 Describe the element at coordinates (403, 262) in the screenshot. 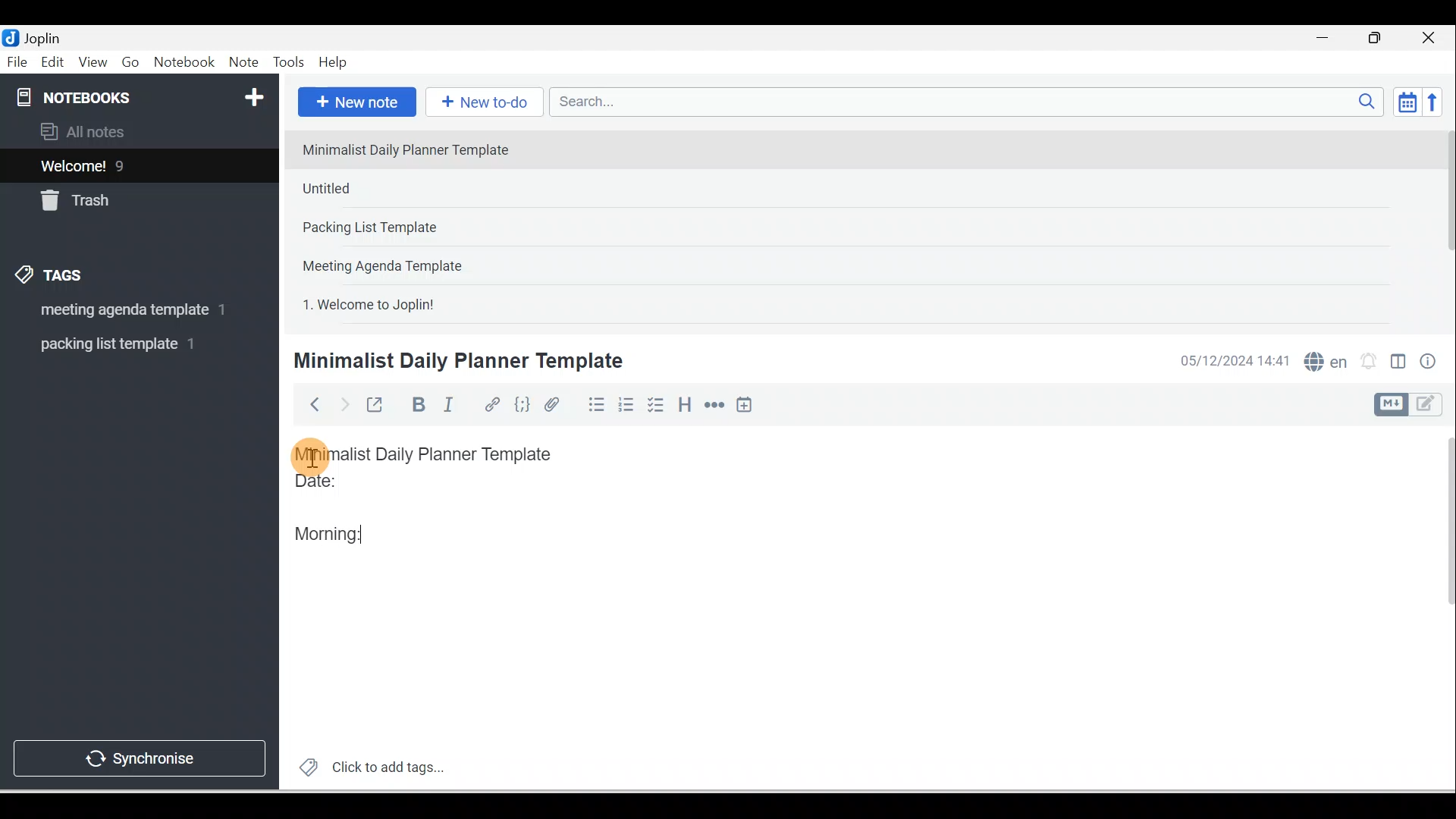

I see `Note 4` at that location.